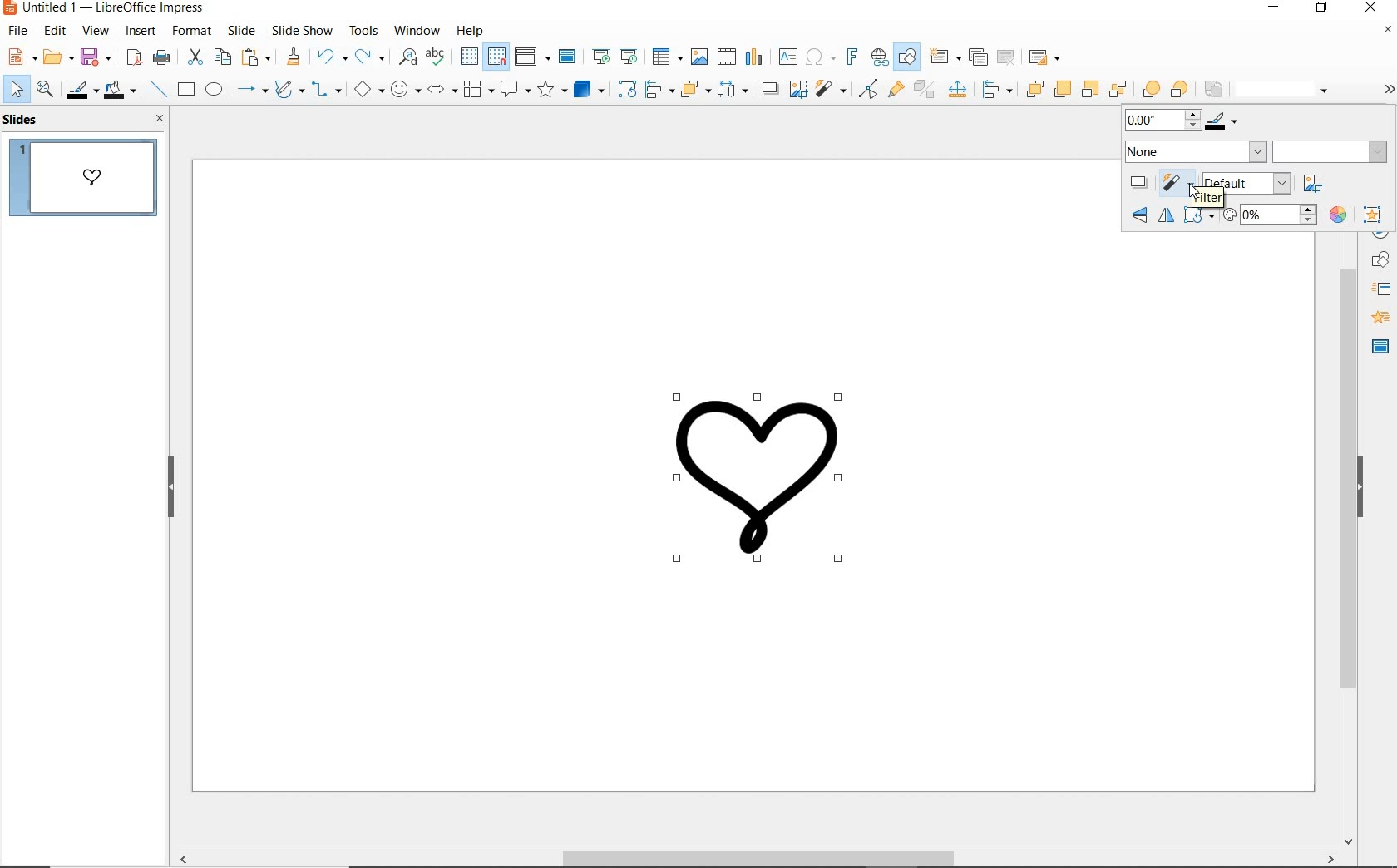 The width and height of the screenshot is (1397, 868). Describe the element at coordinates (19, 57) in the screenshot. I see `new` at that location.